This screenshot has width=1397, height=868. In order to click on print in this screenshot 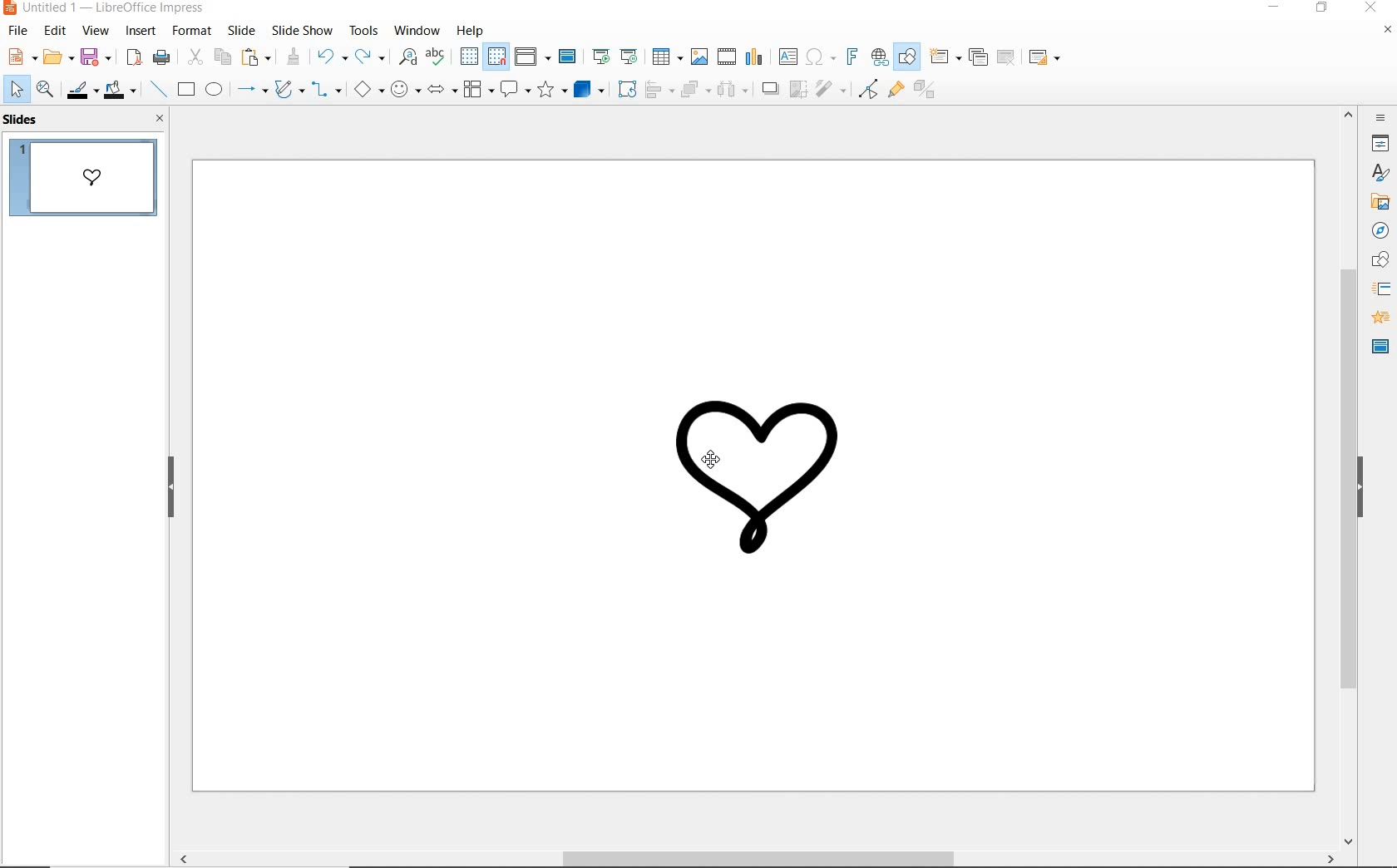, I will do `click(161, 57)`.